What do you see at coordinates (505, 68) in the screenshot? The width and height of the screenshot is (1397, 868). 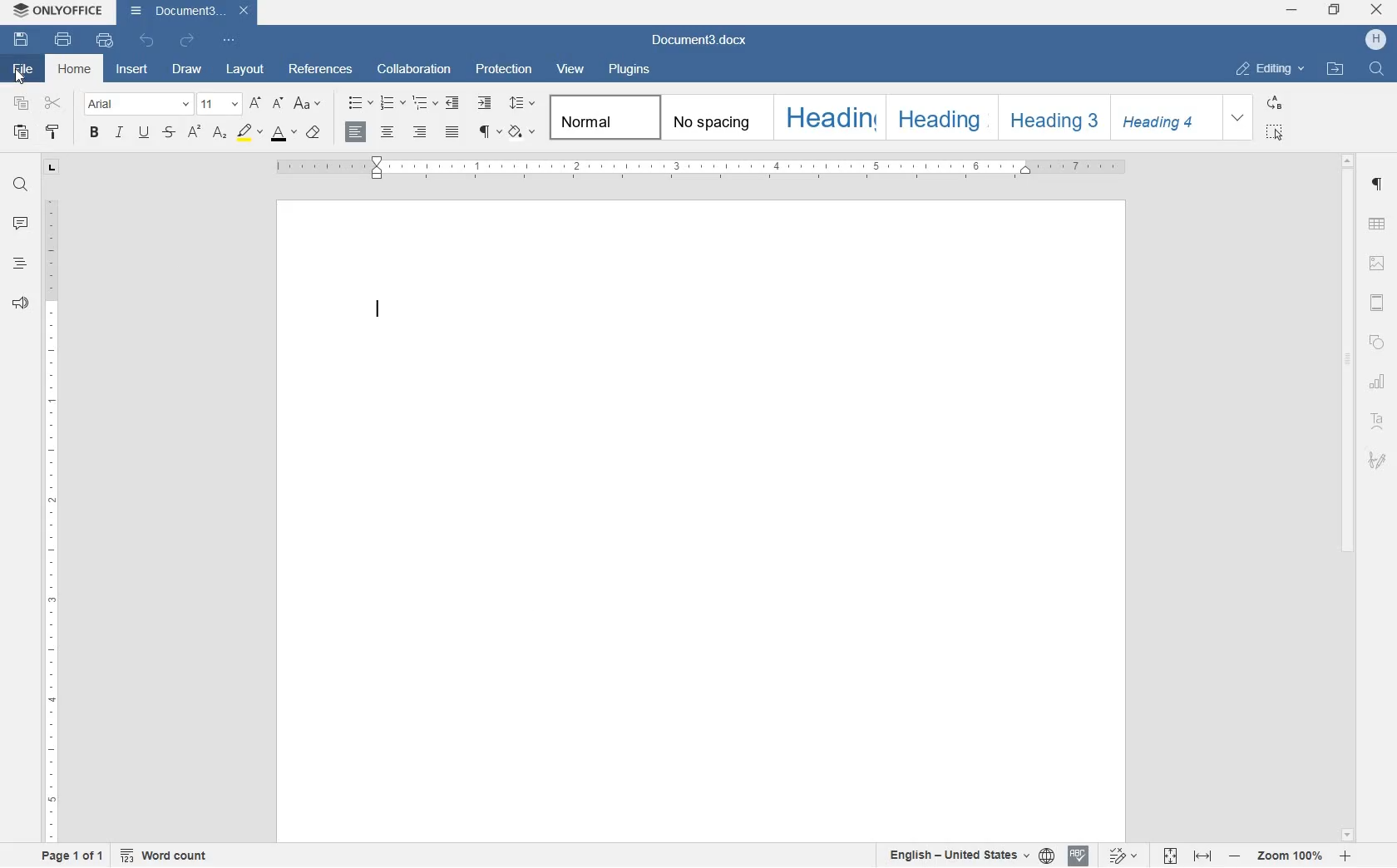 I see `protection` at bounding box center [505, 68].